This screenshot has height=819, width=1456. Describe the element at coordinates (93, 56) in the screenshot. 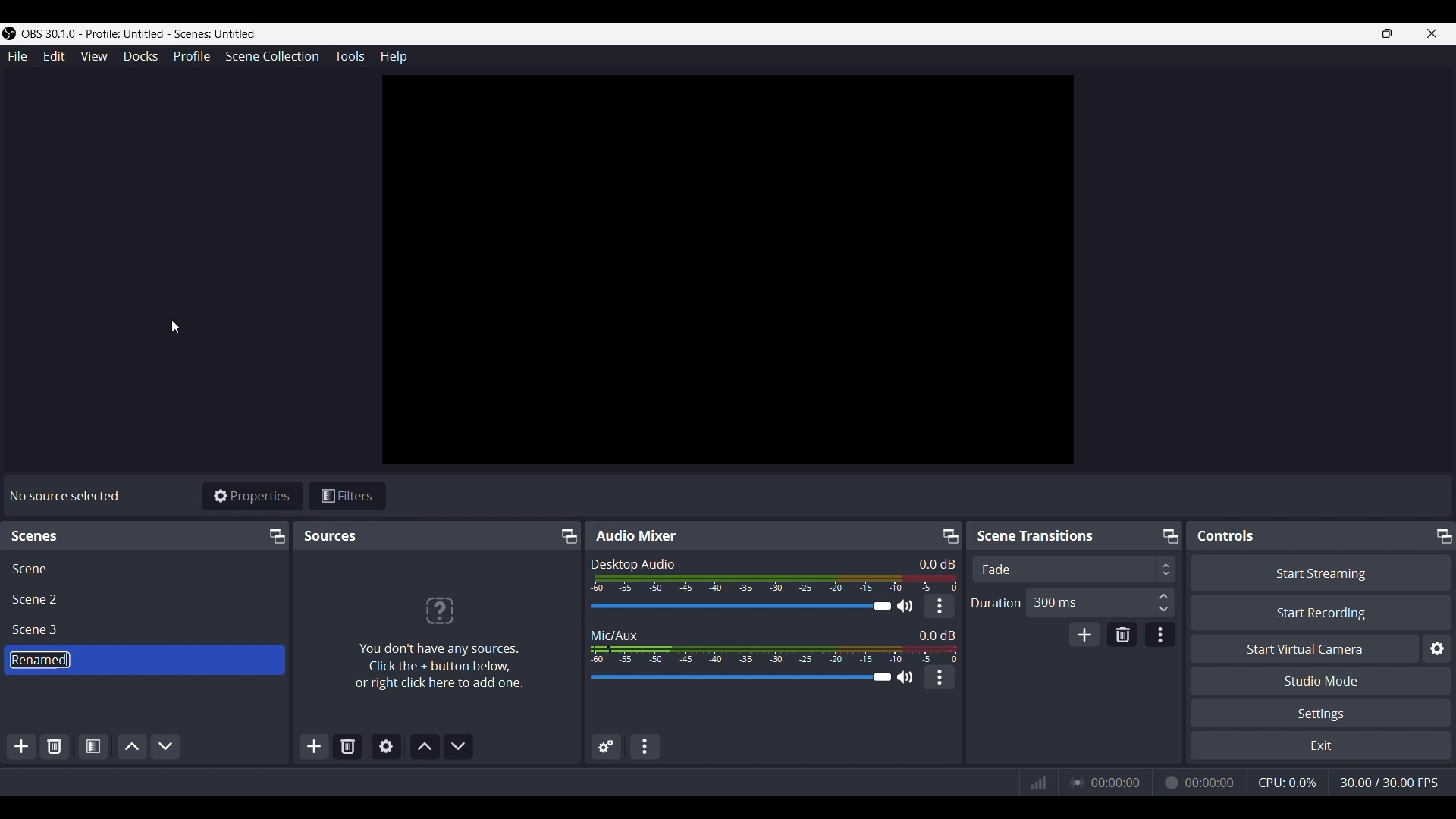

I see `View` at that location.